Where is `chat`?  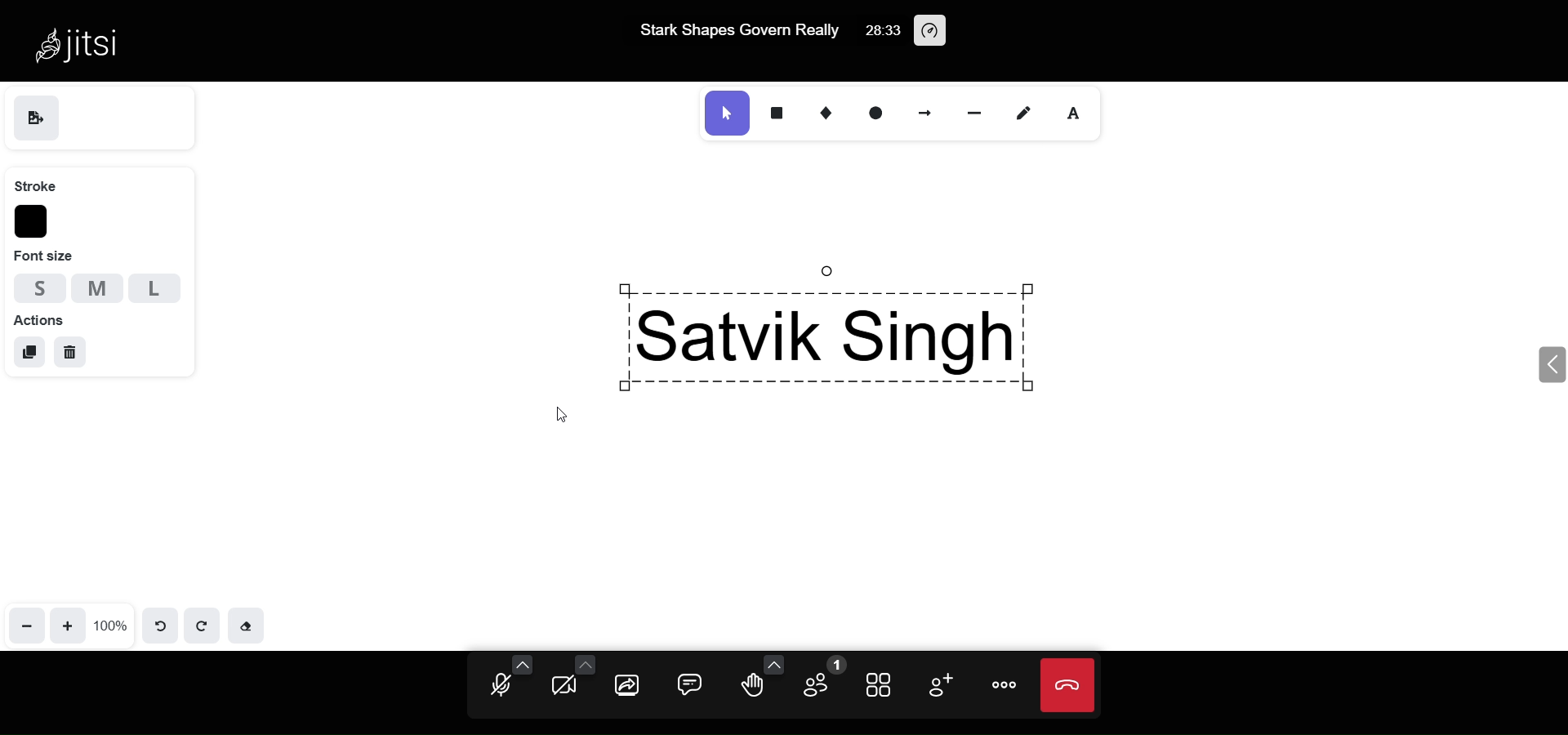 chat is located at coordinates (686, 686).